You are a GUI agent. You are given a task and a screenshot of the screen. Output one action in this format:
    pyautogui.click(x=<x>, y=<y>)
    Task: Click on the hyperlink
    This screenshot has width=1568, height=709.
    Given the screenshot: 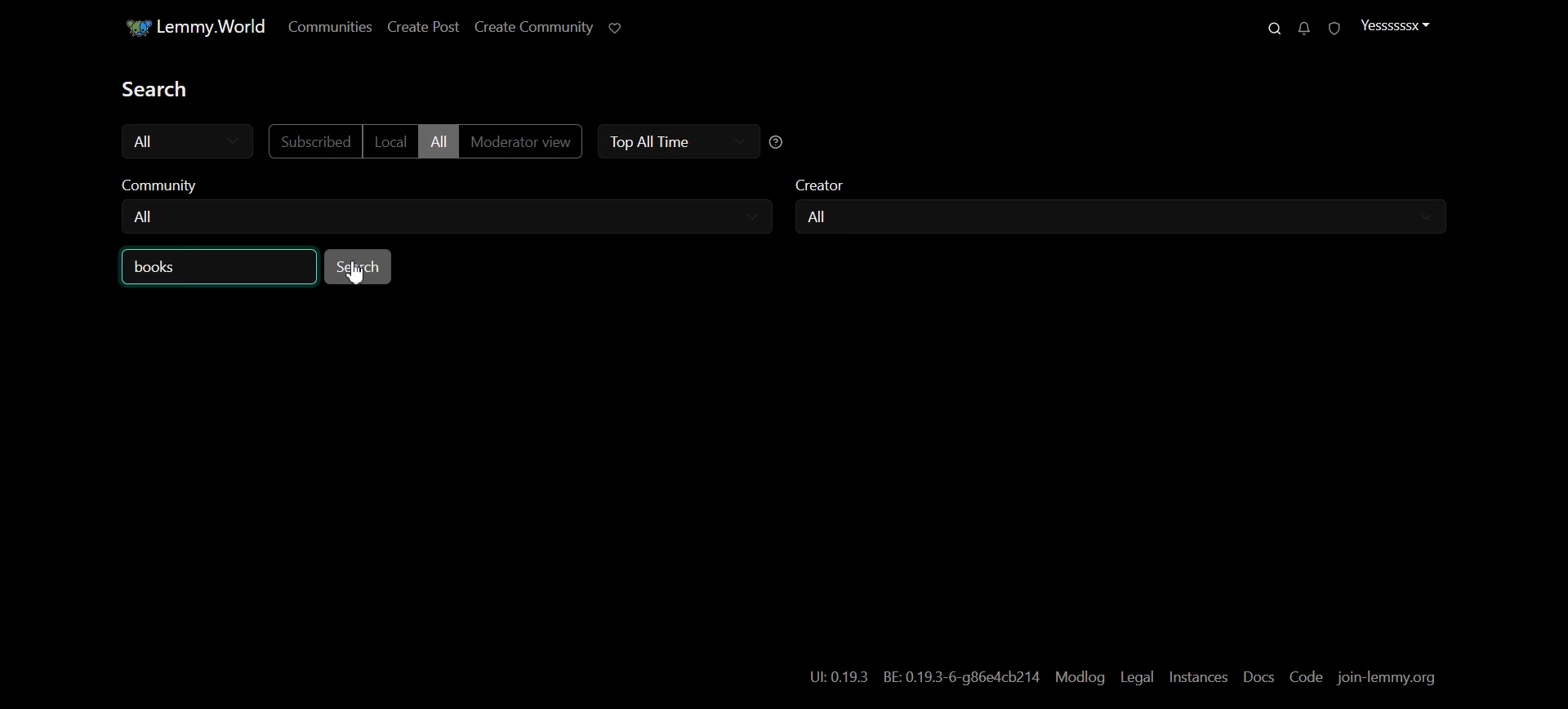 What is the action you would take?
    pyautogui.click(x=924, y=676)
    